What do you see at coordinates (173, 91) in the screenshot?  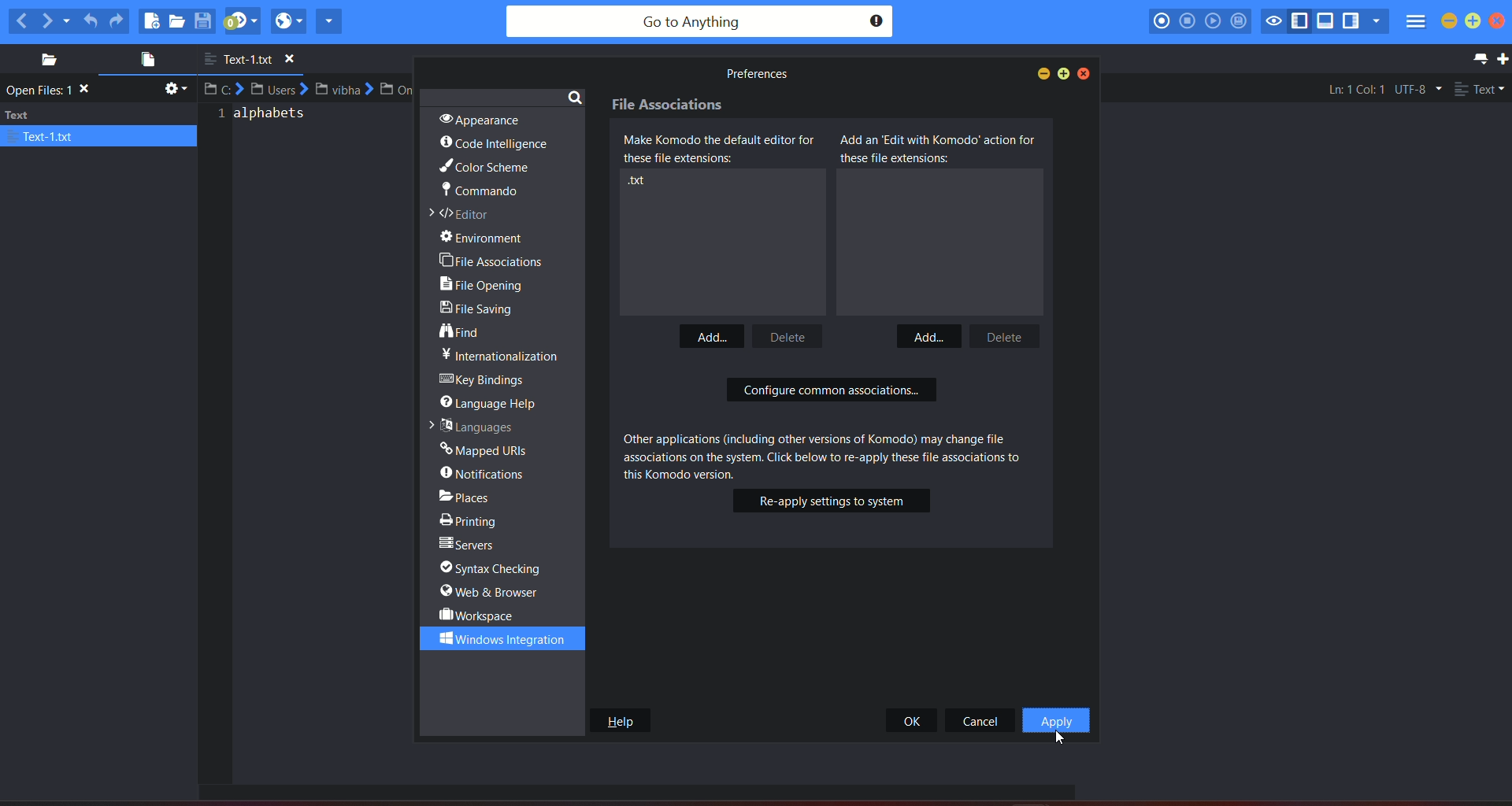 I see `settings` at bounding box center [173, 91].